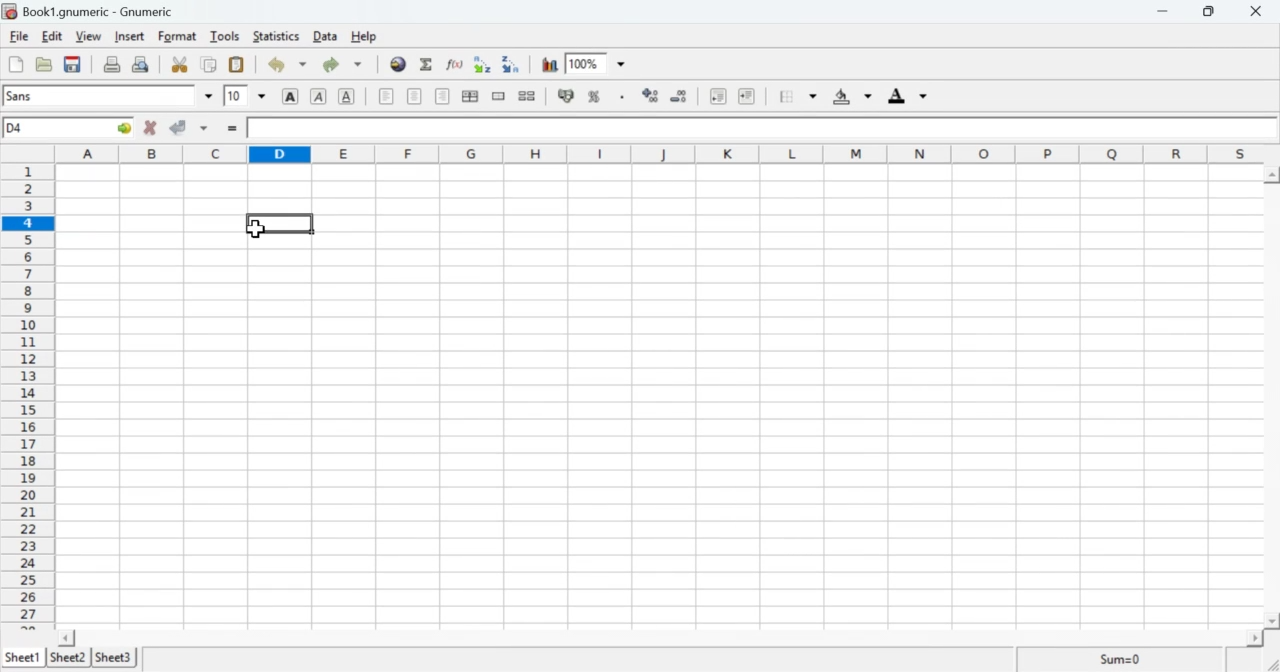 Image resolution: width=1280 pixels, height=672 pixels. What do you see at coordinates (284, 223) in the screenshot?
I see `selected cell` at bounding box center [284, 223].